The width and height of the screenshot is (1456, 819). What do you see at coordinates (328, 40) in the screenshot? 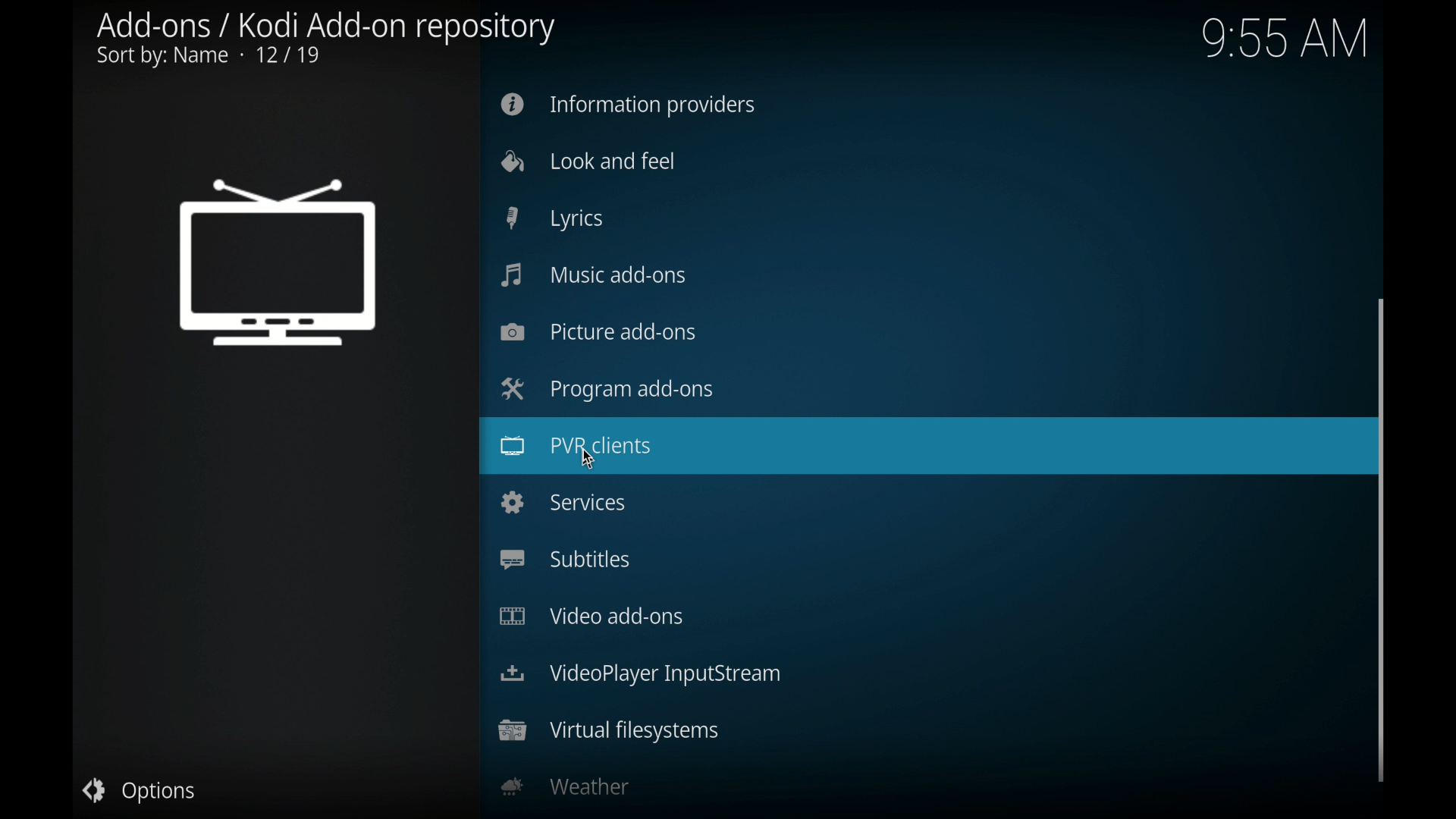
I see `add-ons/ kodi add-on repository` at bounding box center [328, 40].